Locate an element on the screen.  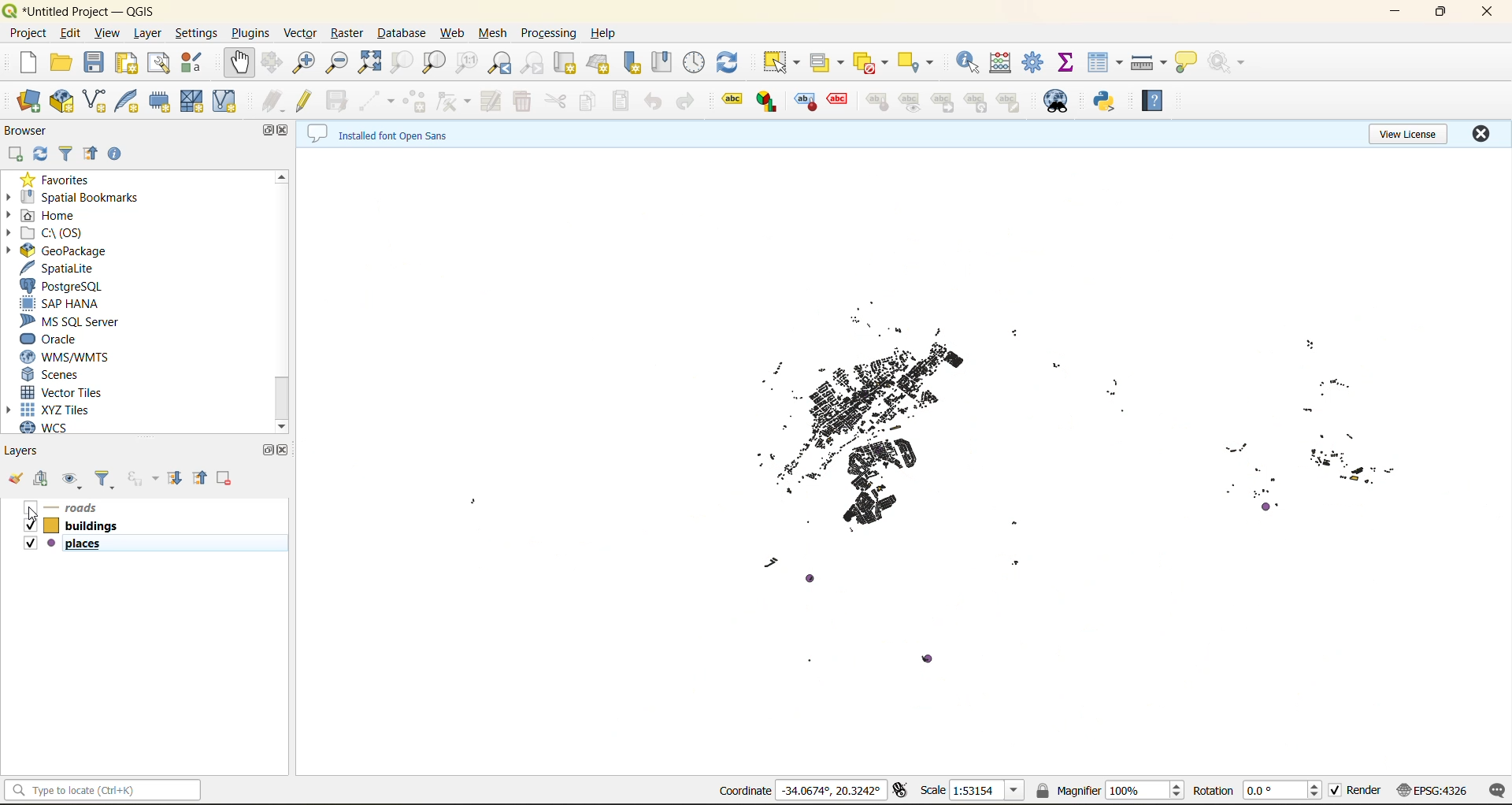
processing is located at coordinates (548, 35).